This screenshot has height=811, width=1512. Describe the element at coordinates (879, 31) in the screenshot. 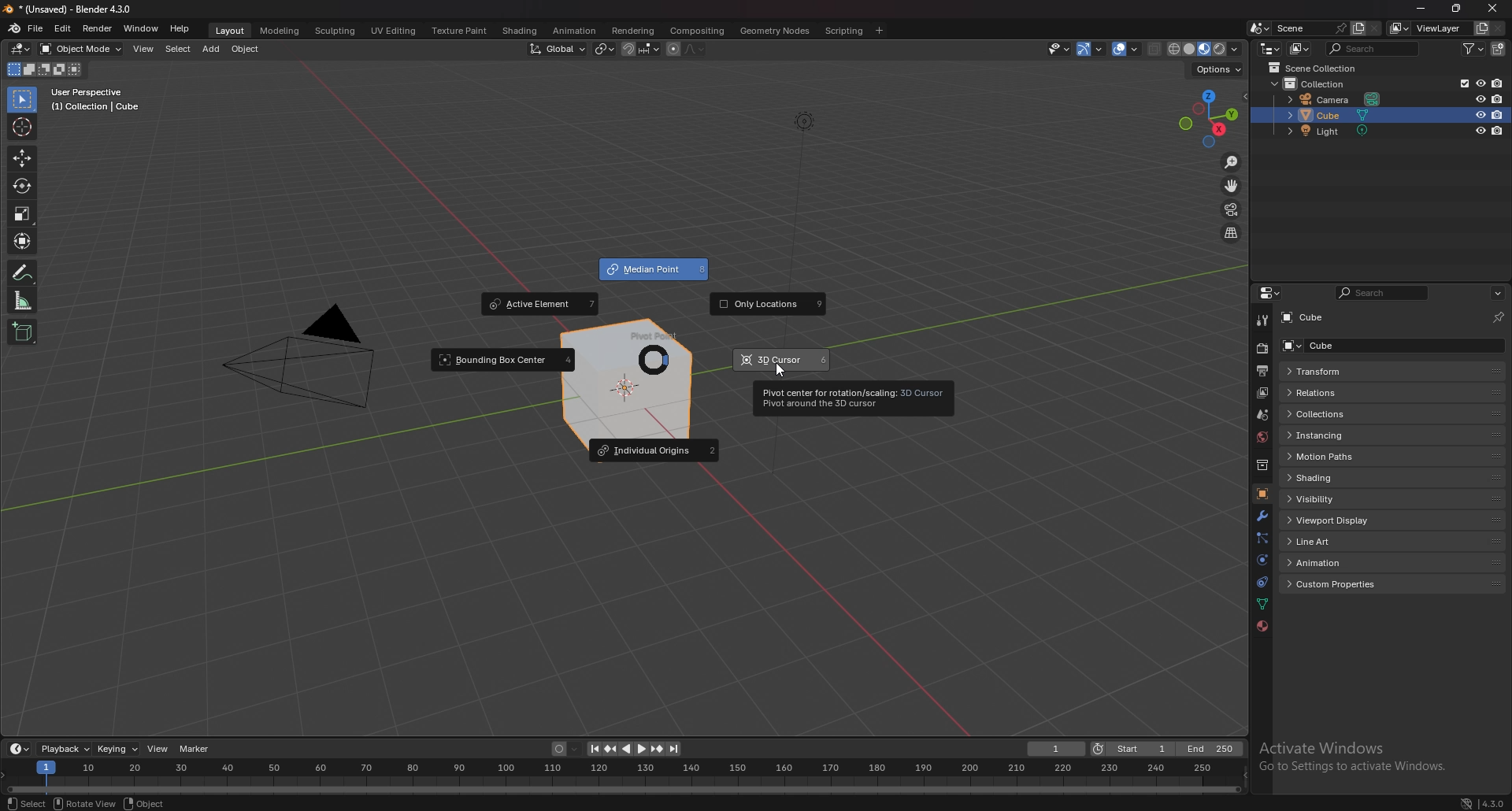

I see `add workspace` at that location.